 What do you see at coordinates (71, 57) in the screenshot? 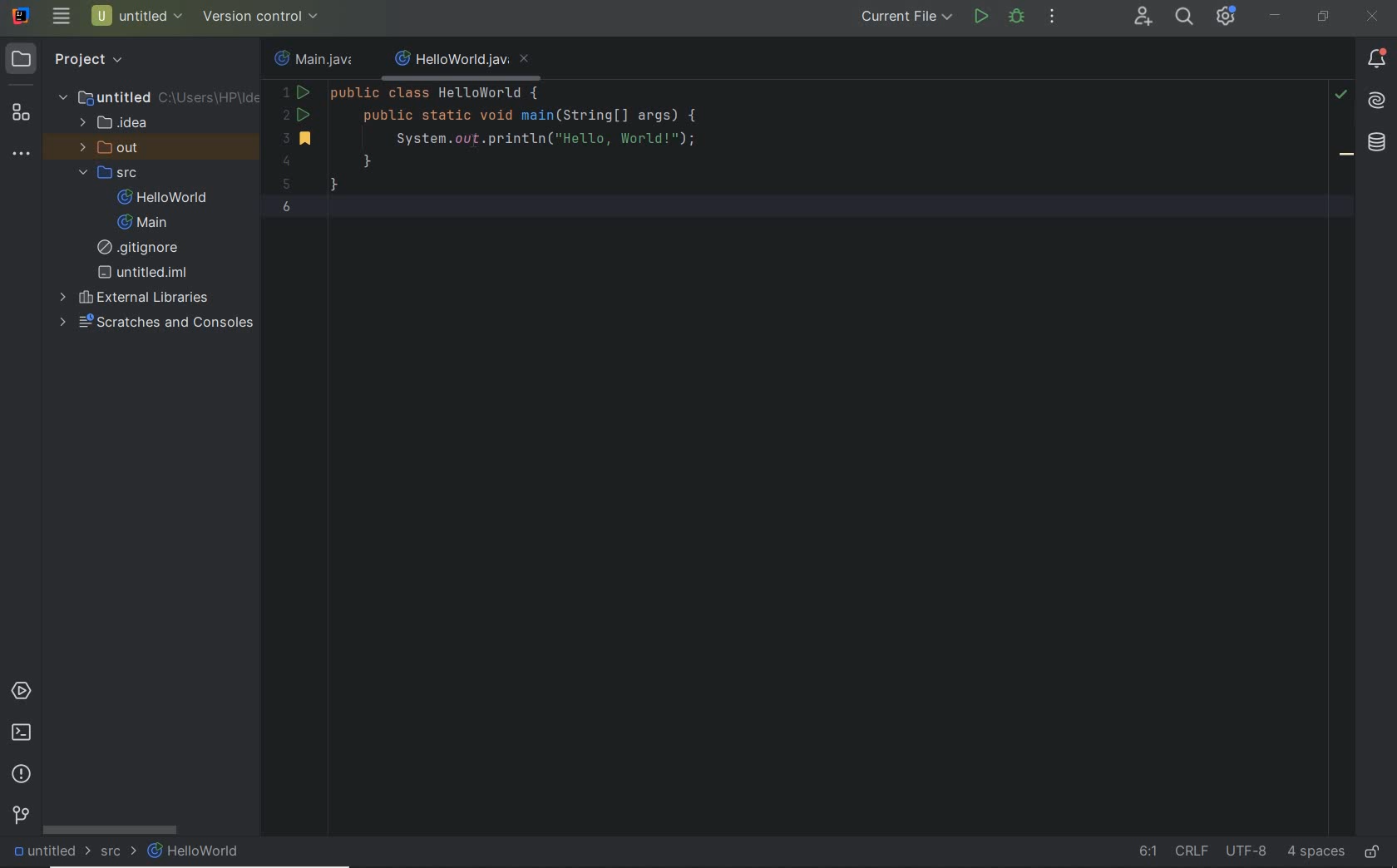
I see `project` at bounding box center [71, 57].